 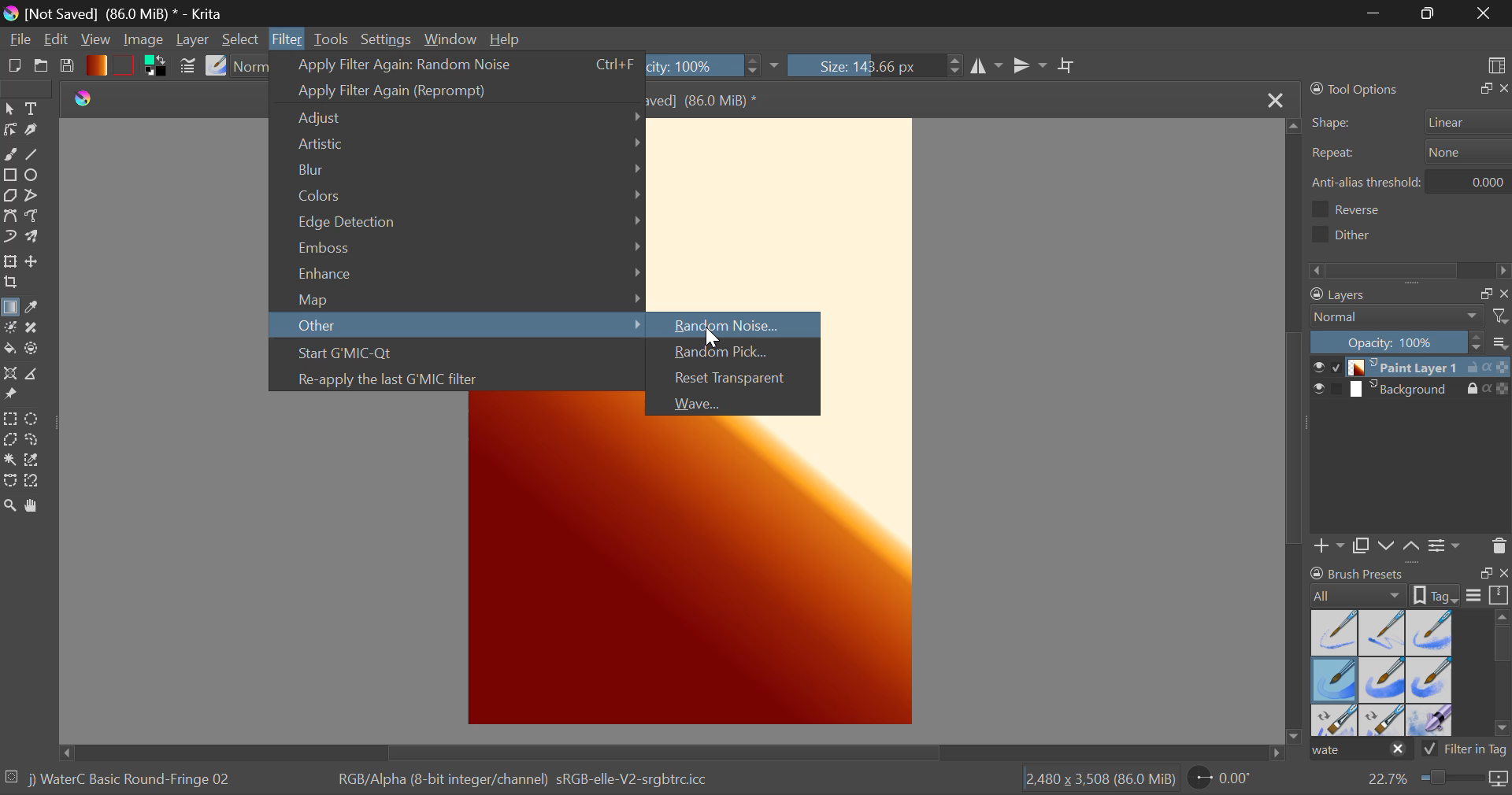 I want to click on Freehand Path Tool, so click(x=37, y=219).